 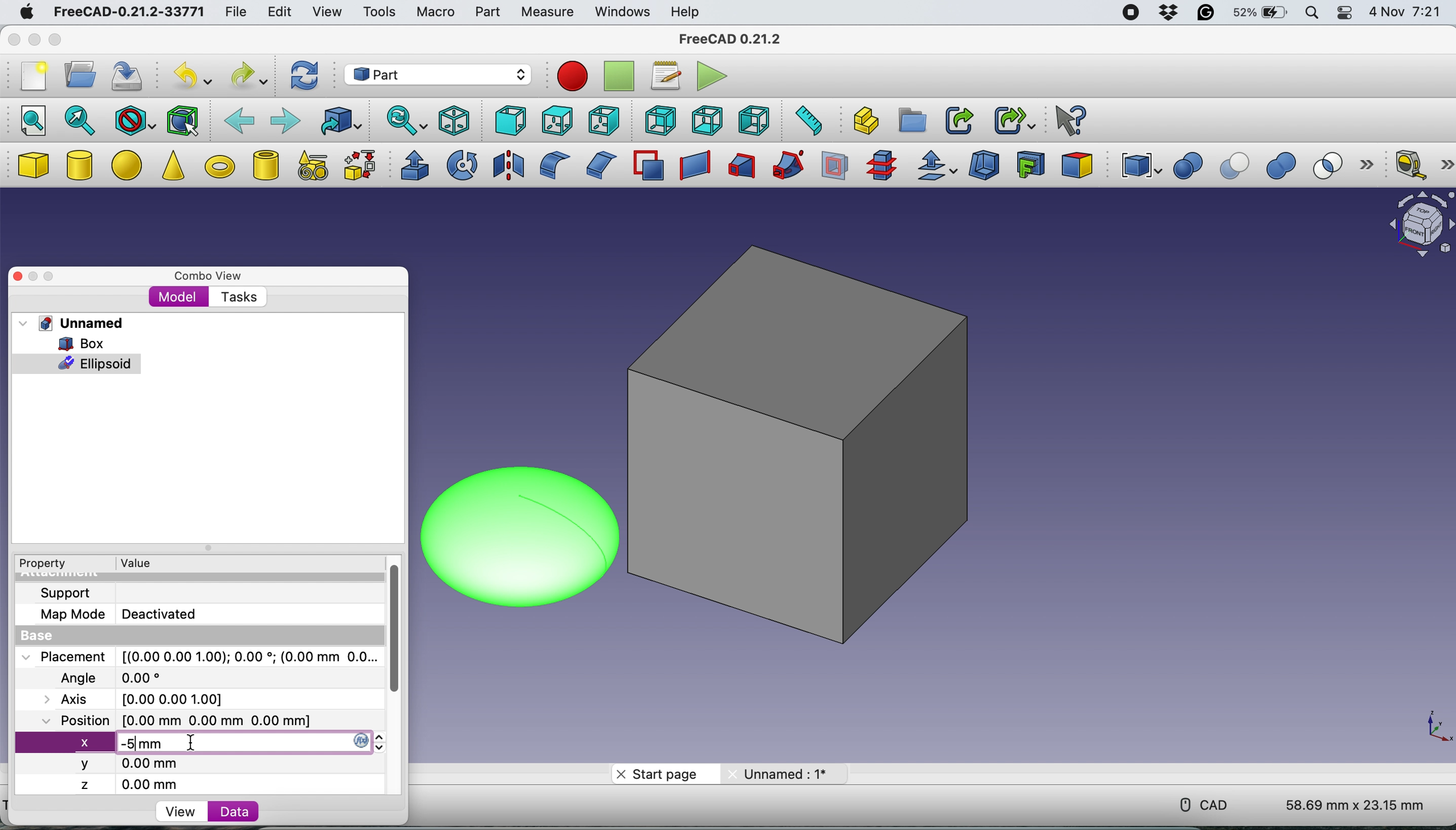 What do you see at coordinates (382, 15) in the screenshot?
I see `tools` at bounding box center [382, 15].